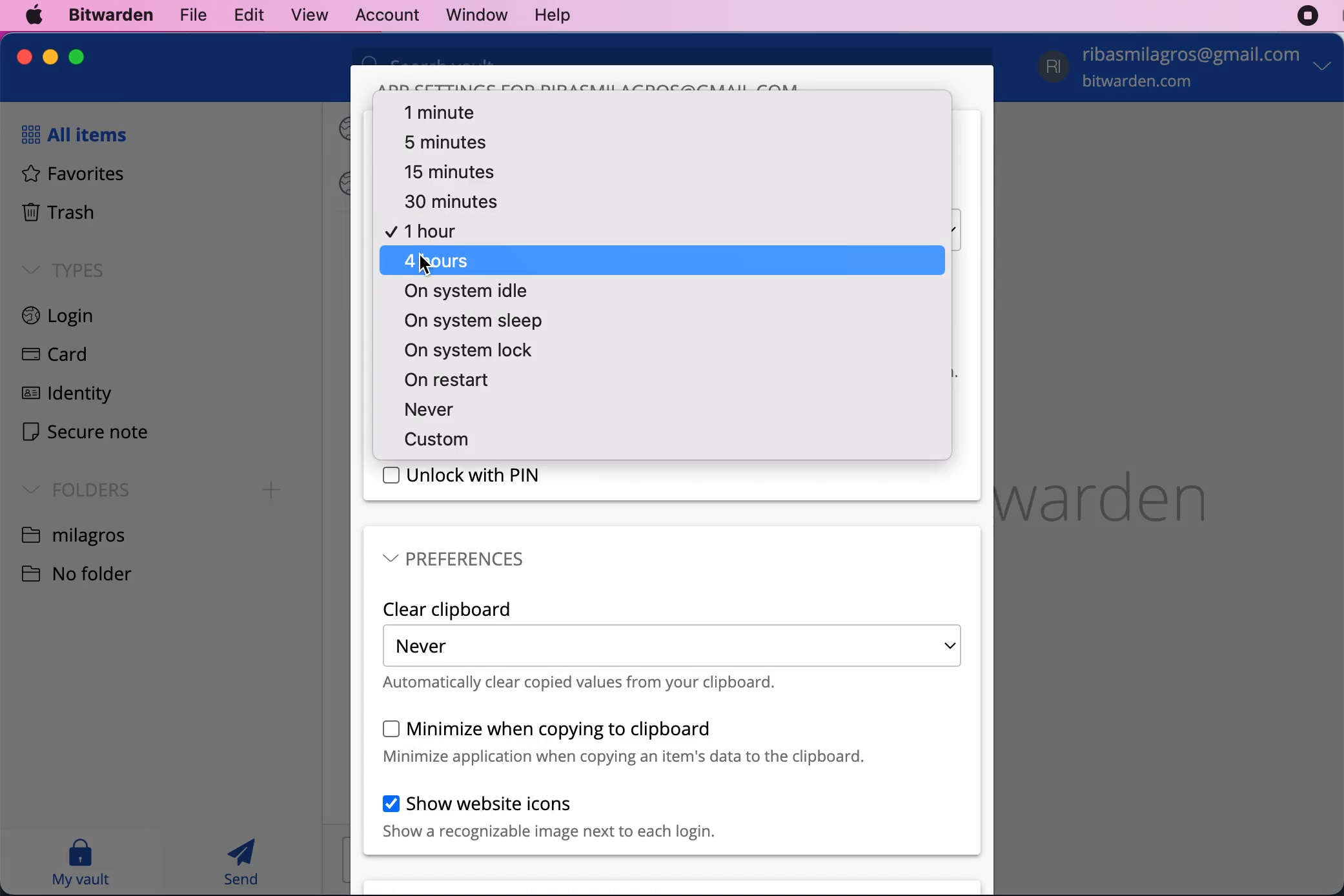  I want to click on clear clipboard, so click(449, 609).